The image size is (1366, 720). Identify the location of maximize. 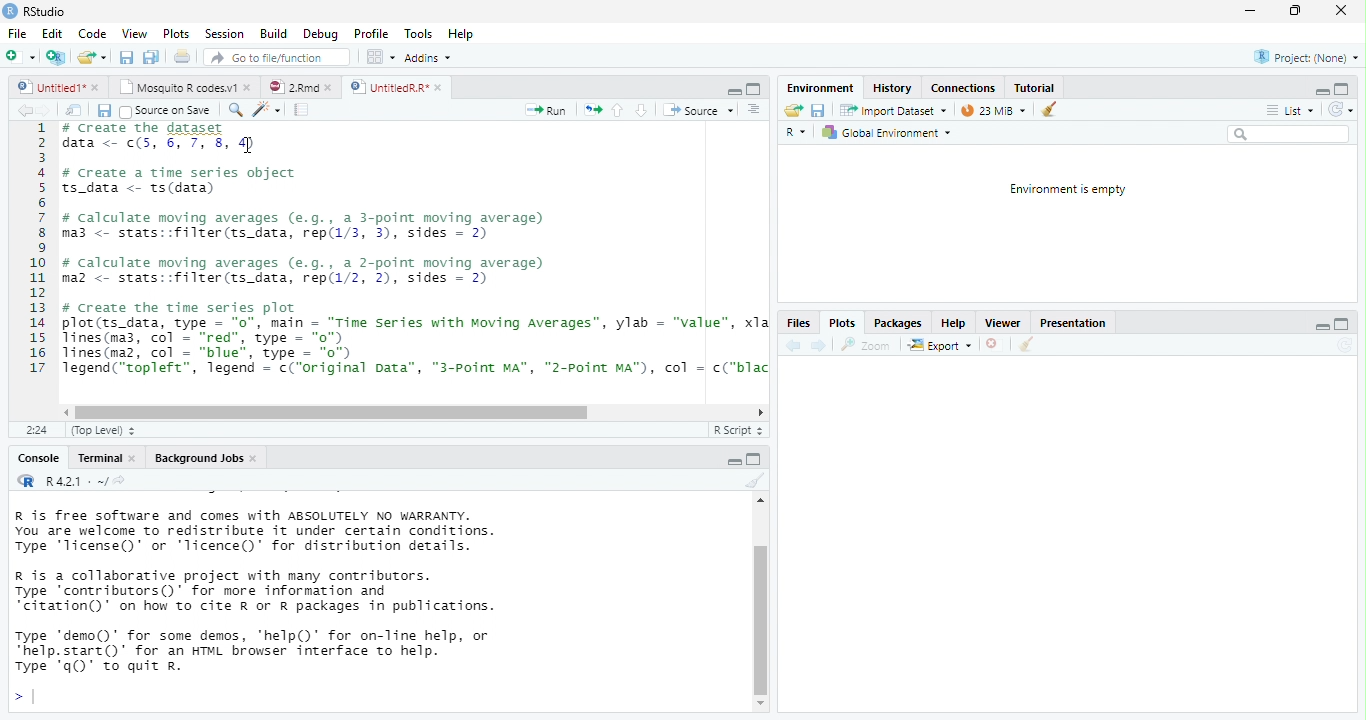
(754, 89).